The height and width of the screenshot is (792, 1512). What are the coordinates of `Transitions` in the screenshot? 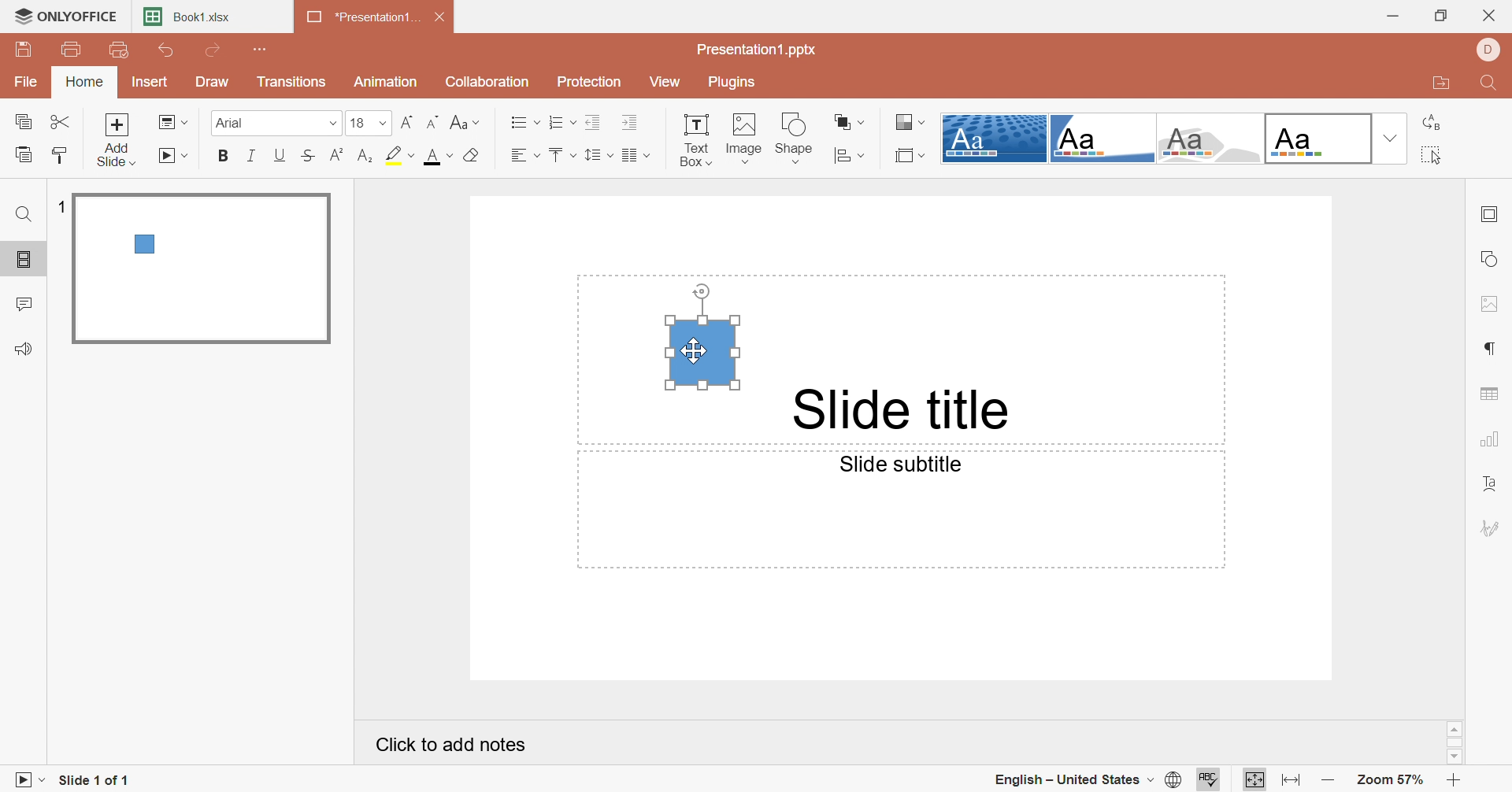 It's located at (292, 86).